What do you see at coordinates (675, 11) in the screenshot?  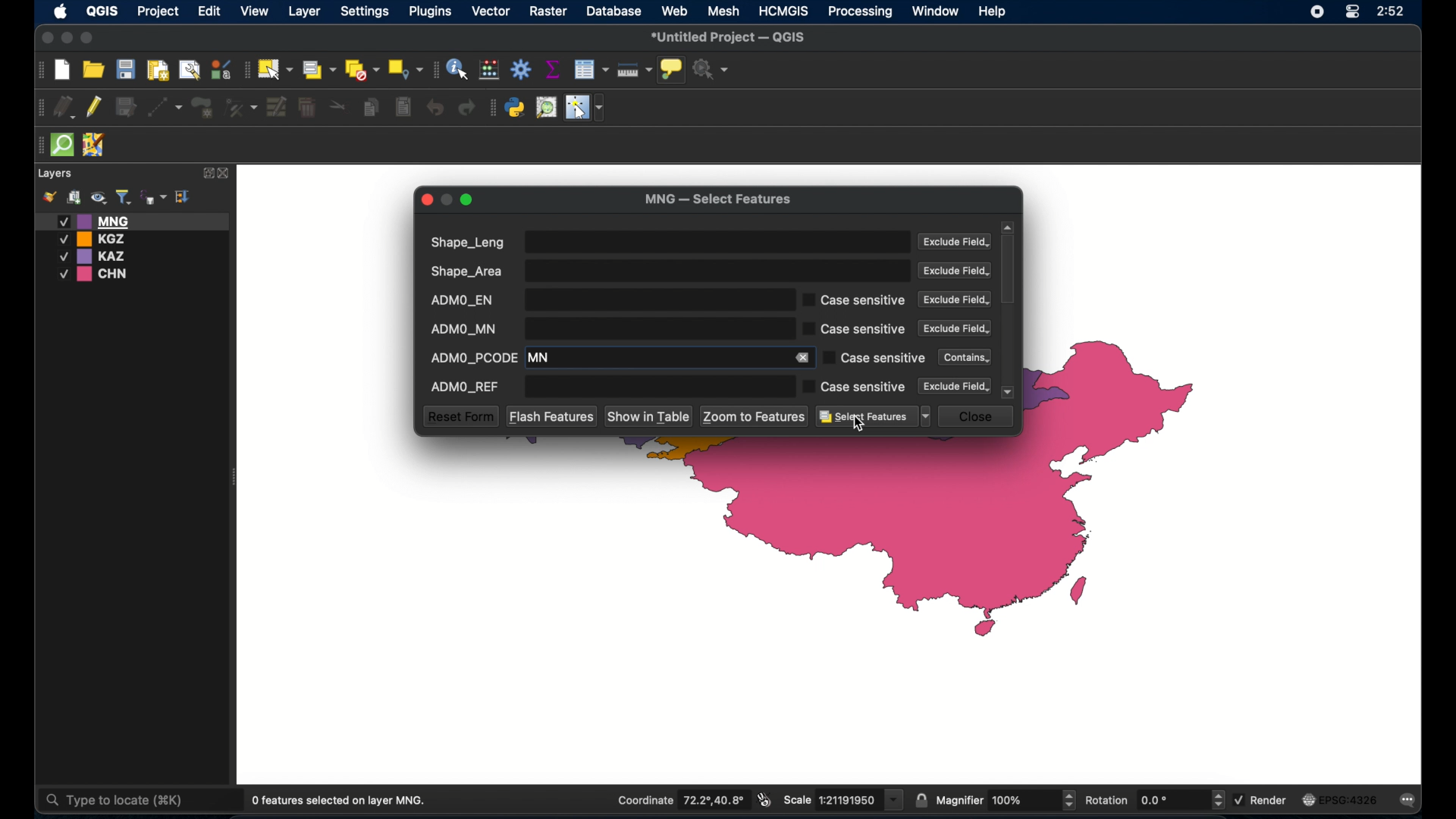 I see `web` at bounding box center [675, 11].